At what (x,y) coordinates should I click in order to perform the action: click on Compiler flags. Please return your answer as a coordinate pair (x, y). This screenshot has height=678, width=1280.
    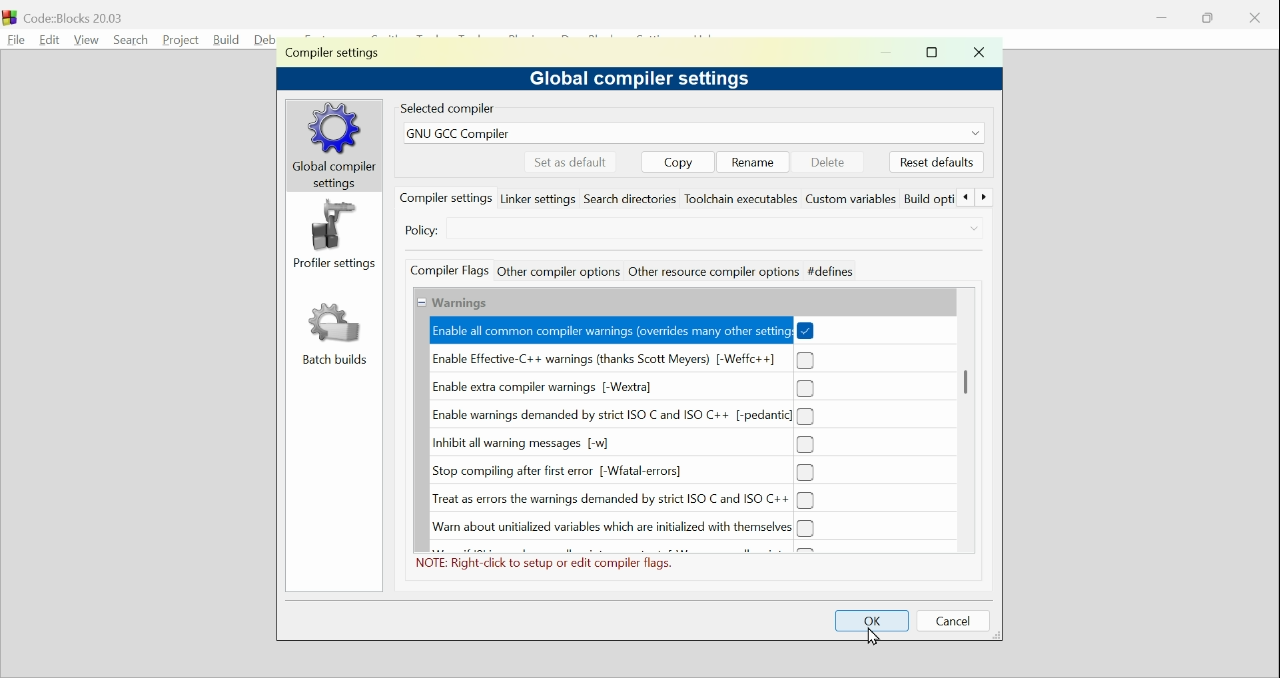
    Looking at the image, I should click on (449, 270).